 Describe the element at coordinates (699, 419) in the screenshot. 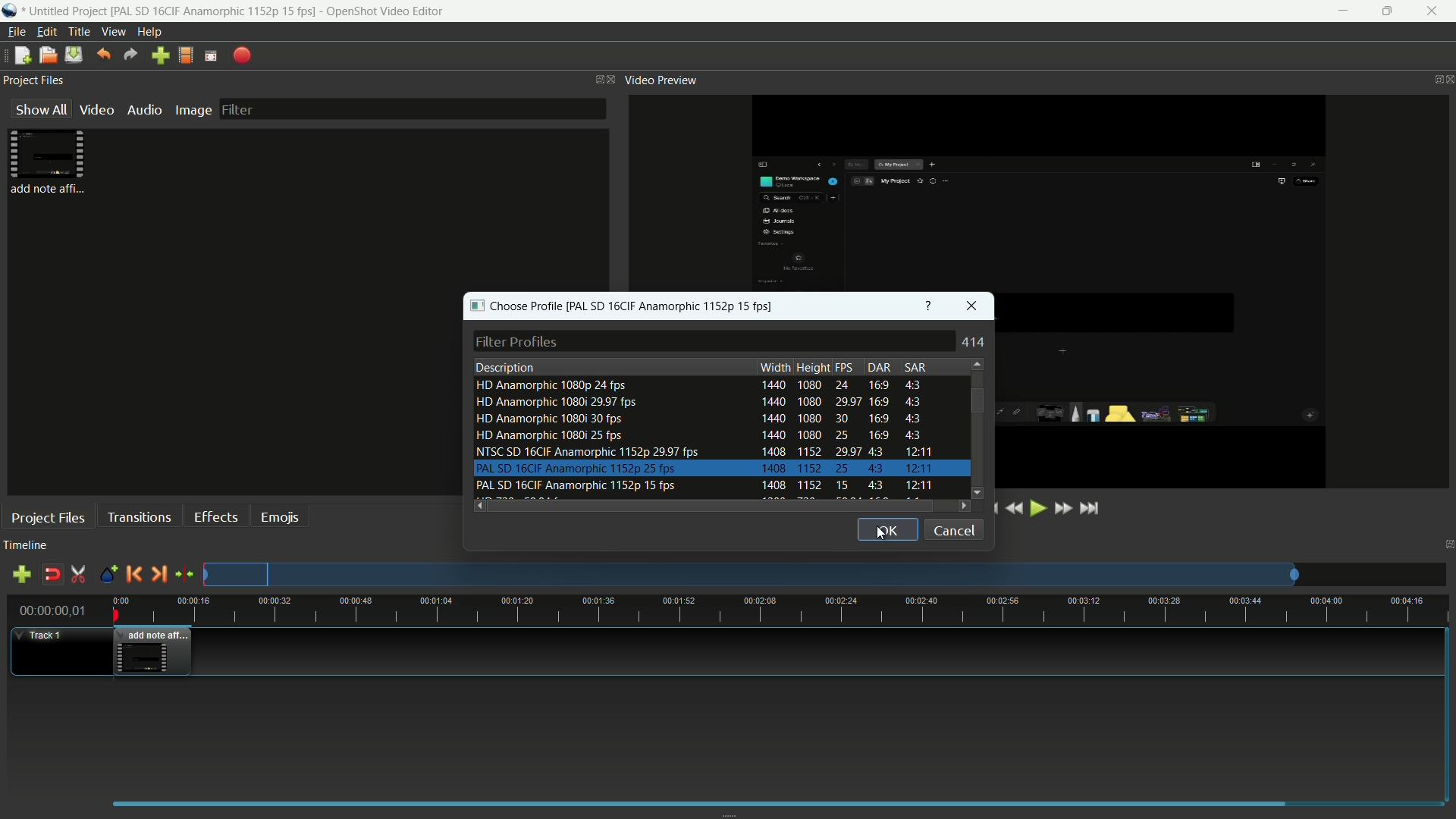

I see `profile-3` at that location.